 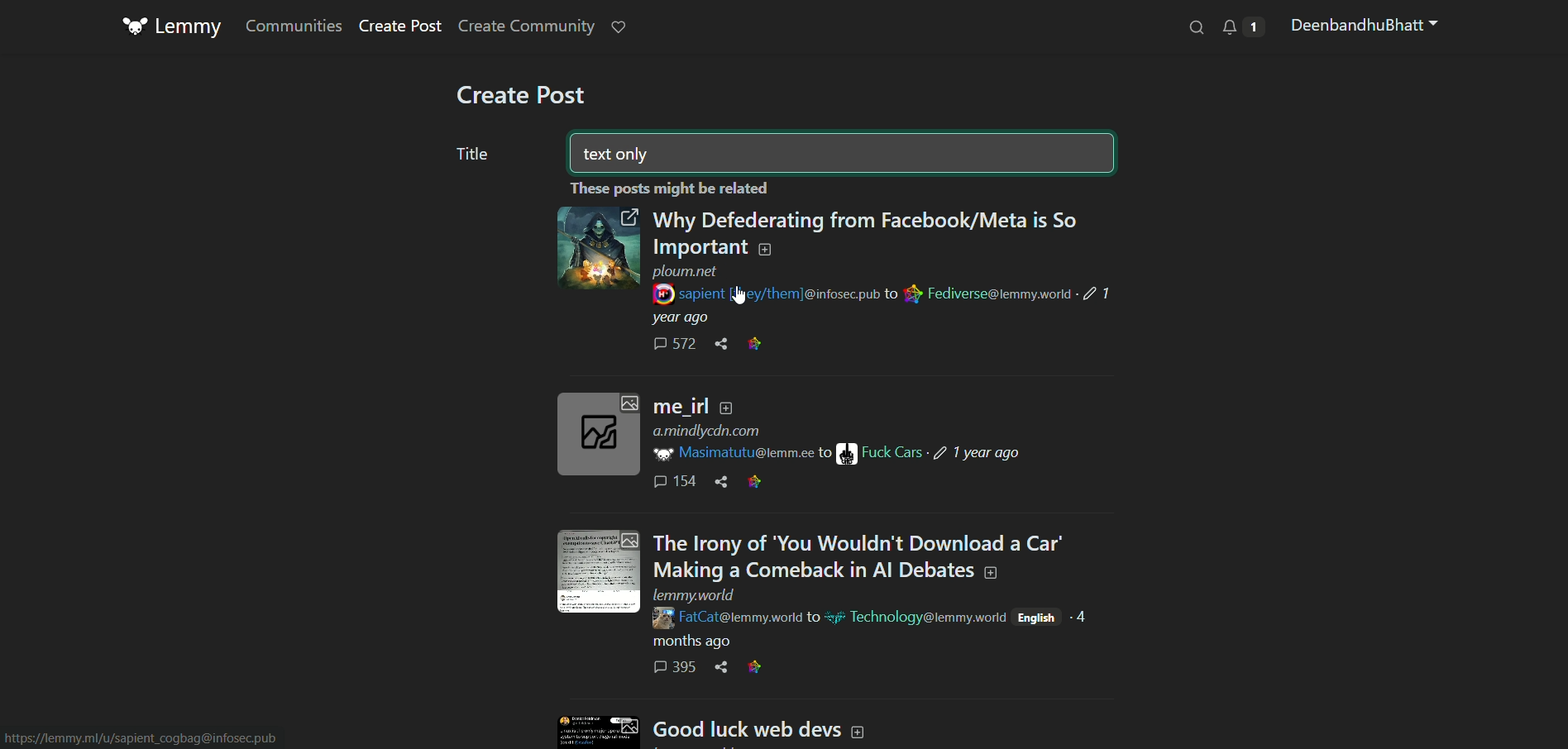 I want to click on Link to Fediverse, so click(x=1000, y=293).